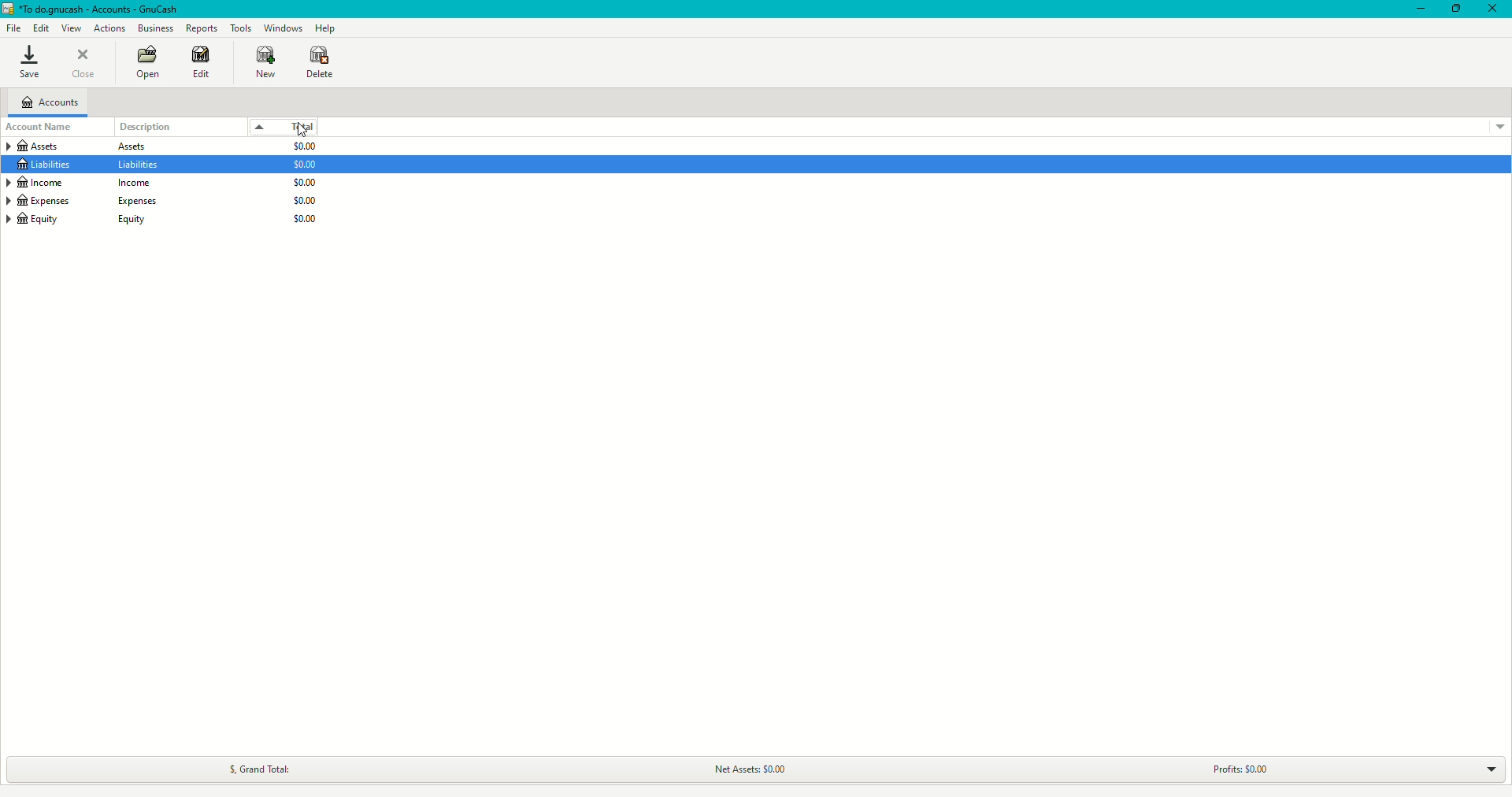 The height and width of the screenshot is (797, 1512). I want to click on mouse pointer, so click(301, 128).